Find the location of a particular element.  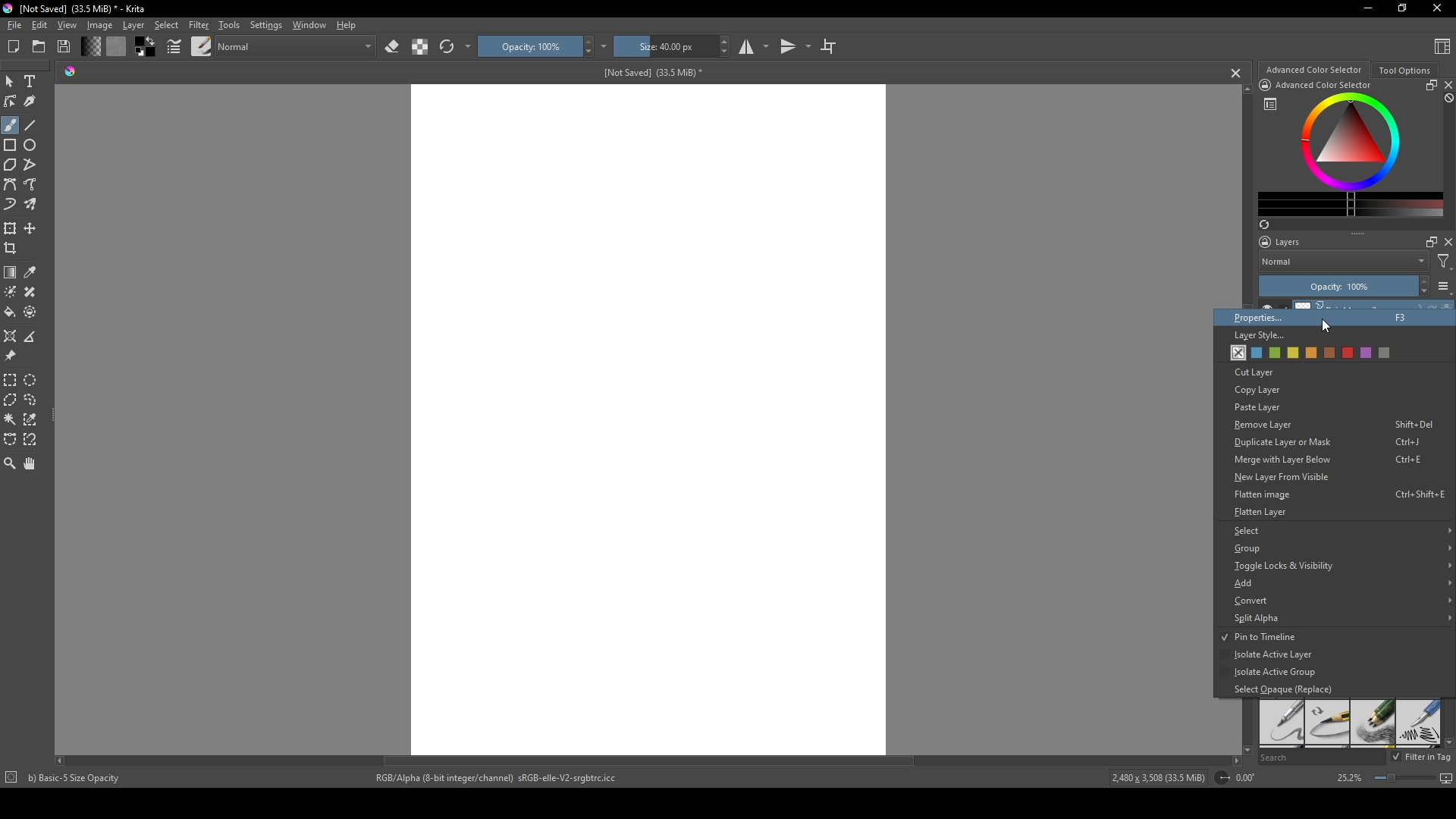

Convert is located at coordinates (1341, 601).